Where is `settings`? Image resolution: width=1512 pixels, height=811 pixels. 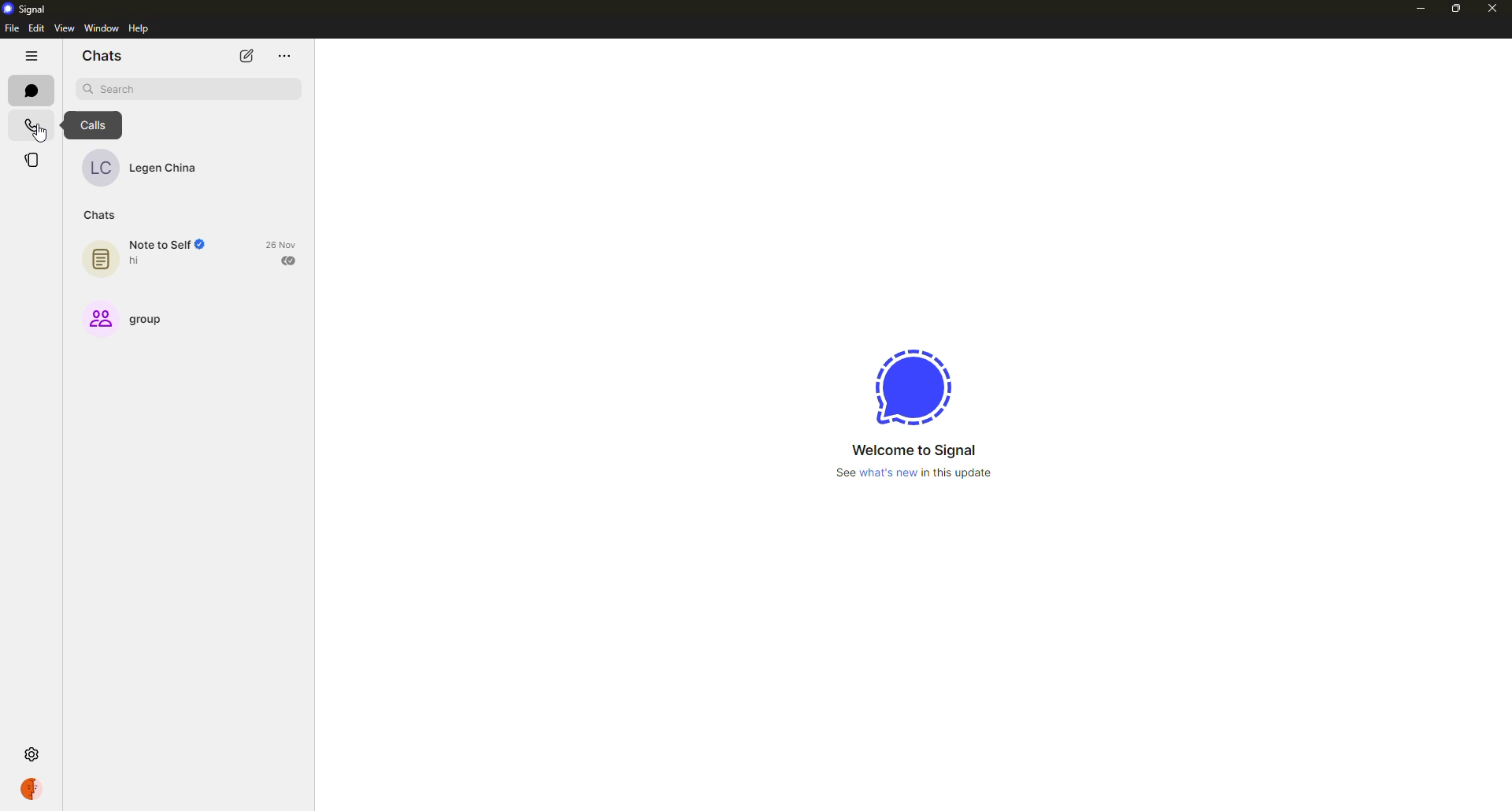
settings is located at coordinates (31, 754).